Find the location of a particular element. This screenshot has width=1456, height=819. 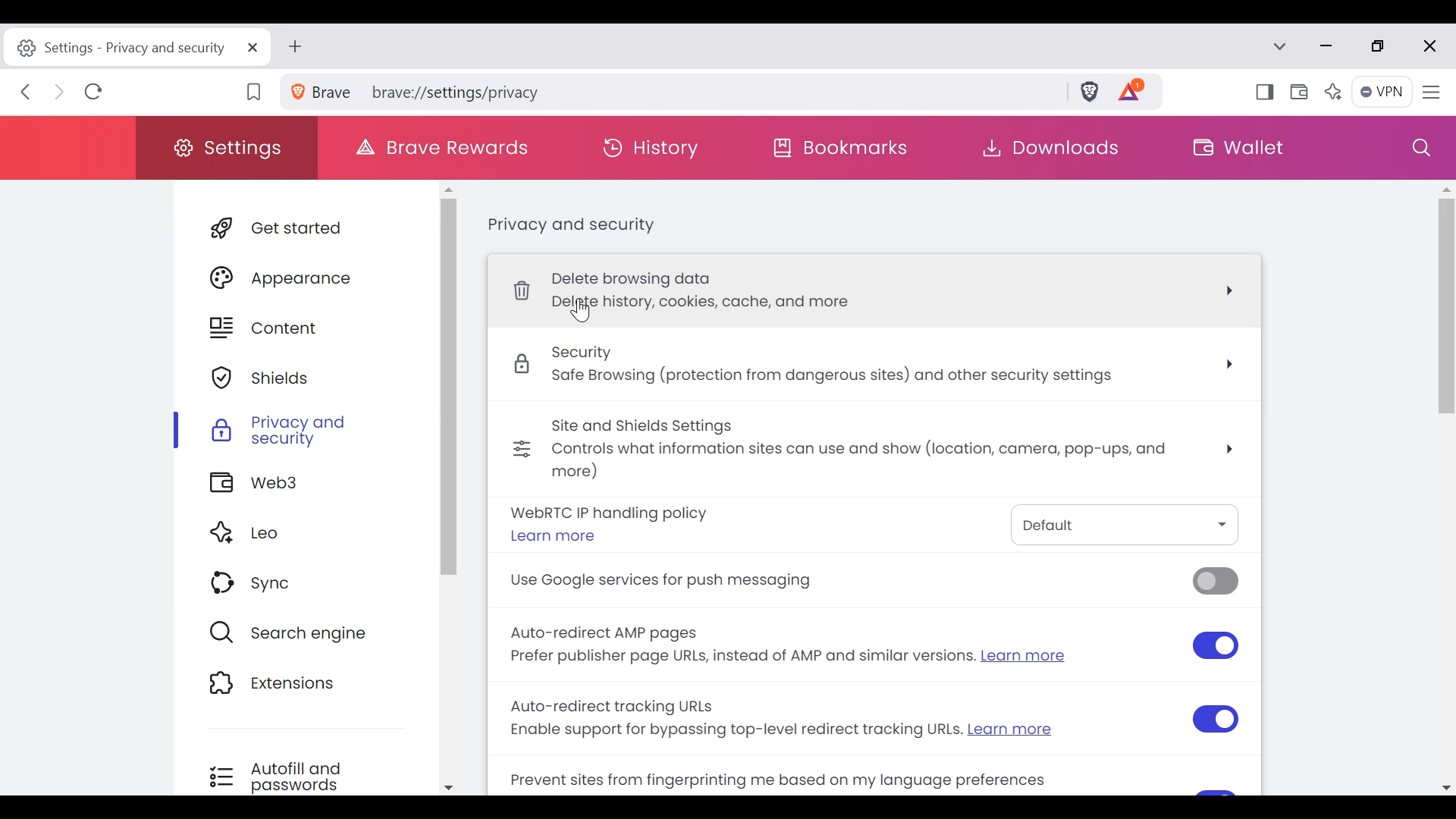

Scroll bar is located at coordinates (1446, 441).